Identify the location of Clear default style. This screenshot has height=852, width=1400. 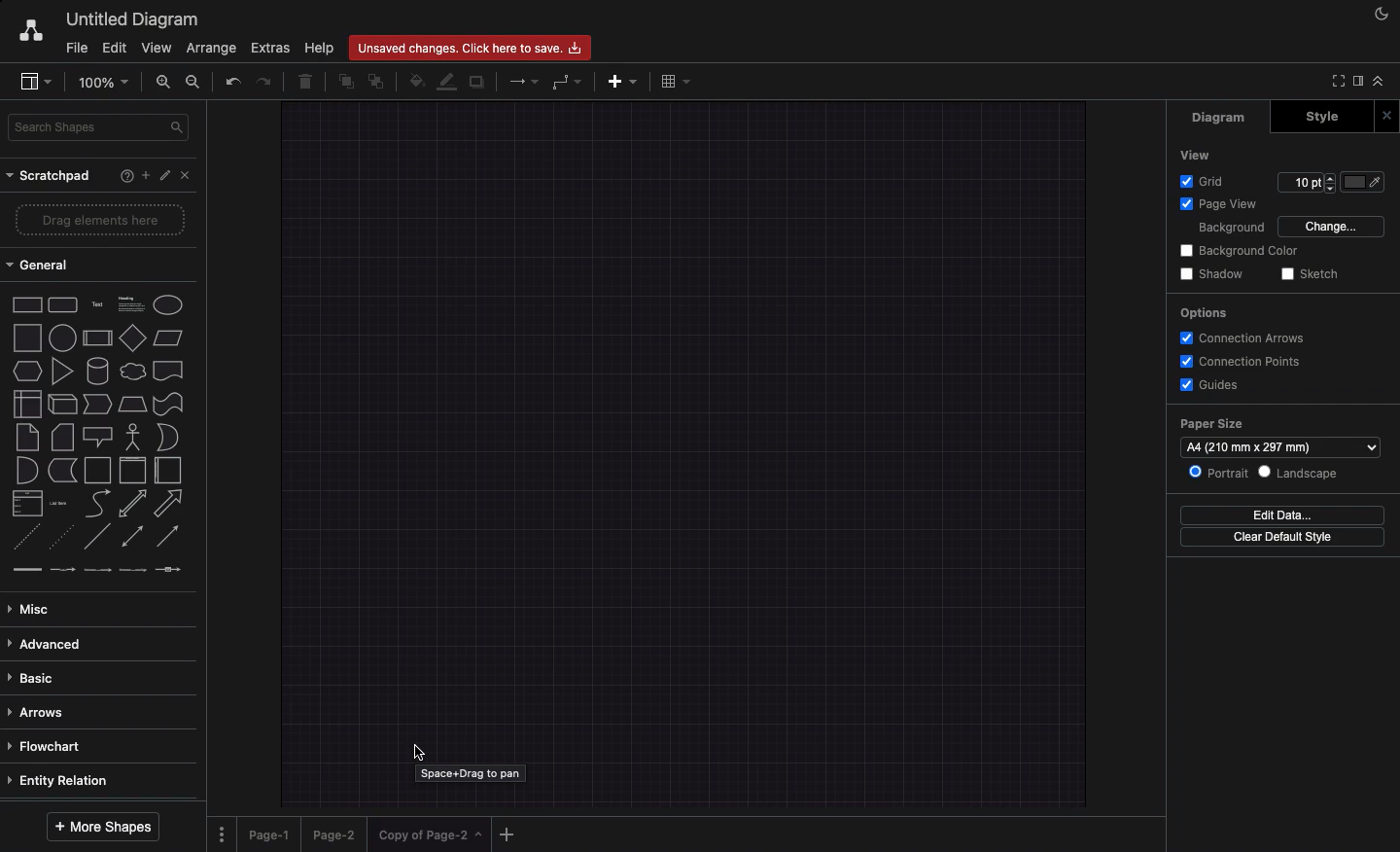
(1276, 538).